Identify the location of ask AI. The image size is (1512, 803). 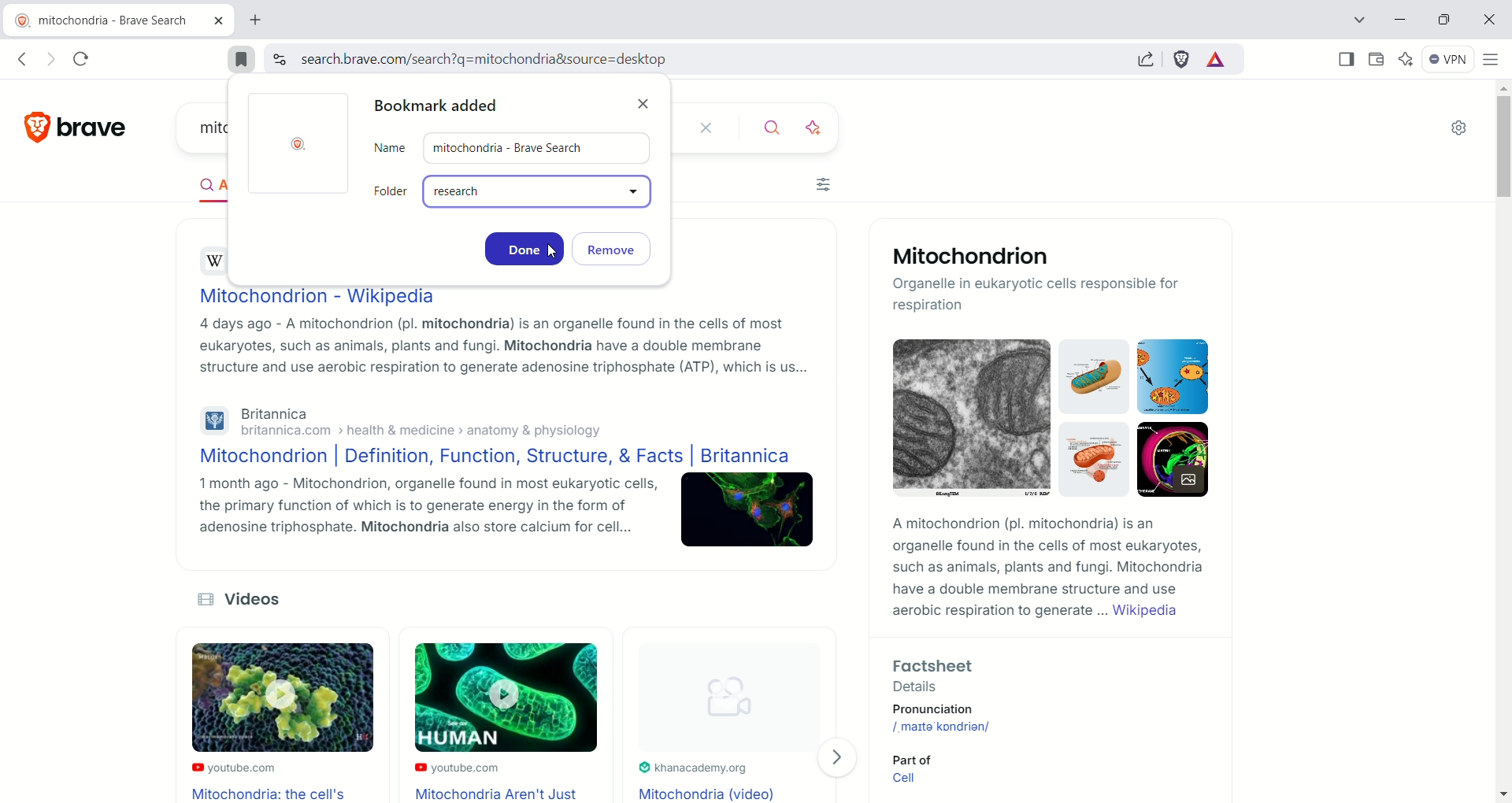
(815, 126).